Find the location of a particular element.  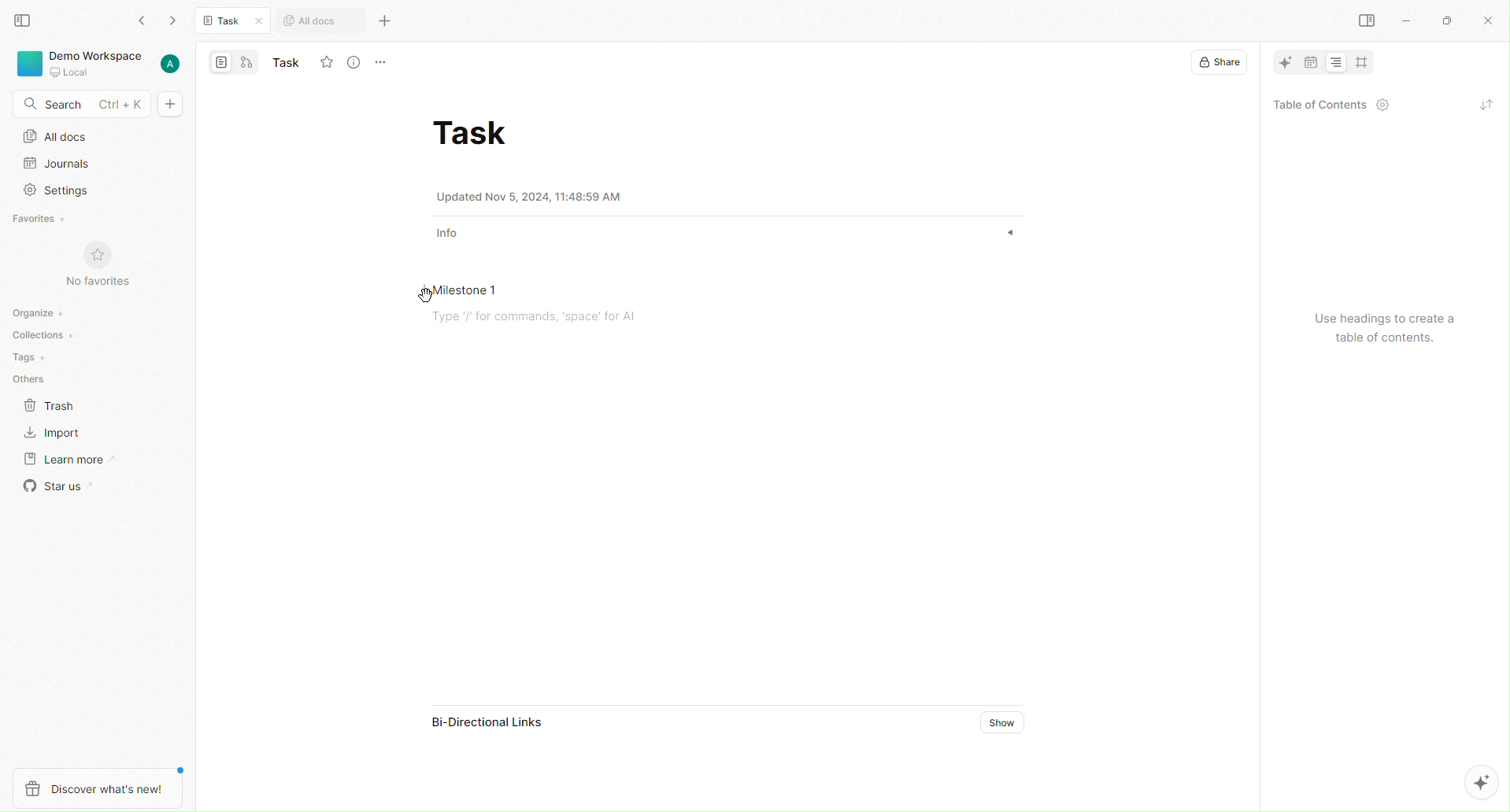

refresh is located at coordinates (1481, 103).